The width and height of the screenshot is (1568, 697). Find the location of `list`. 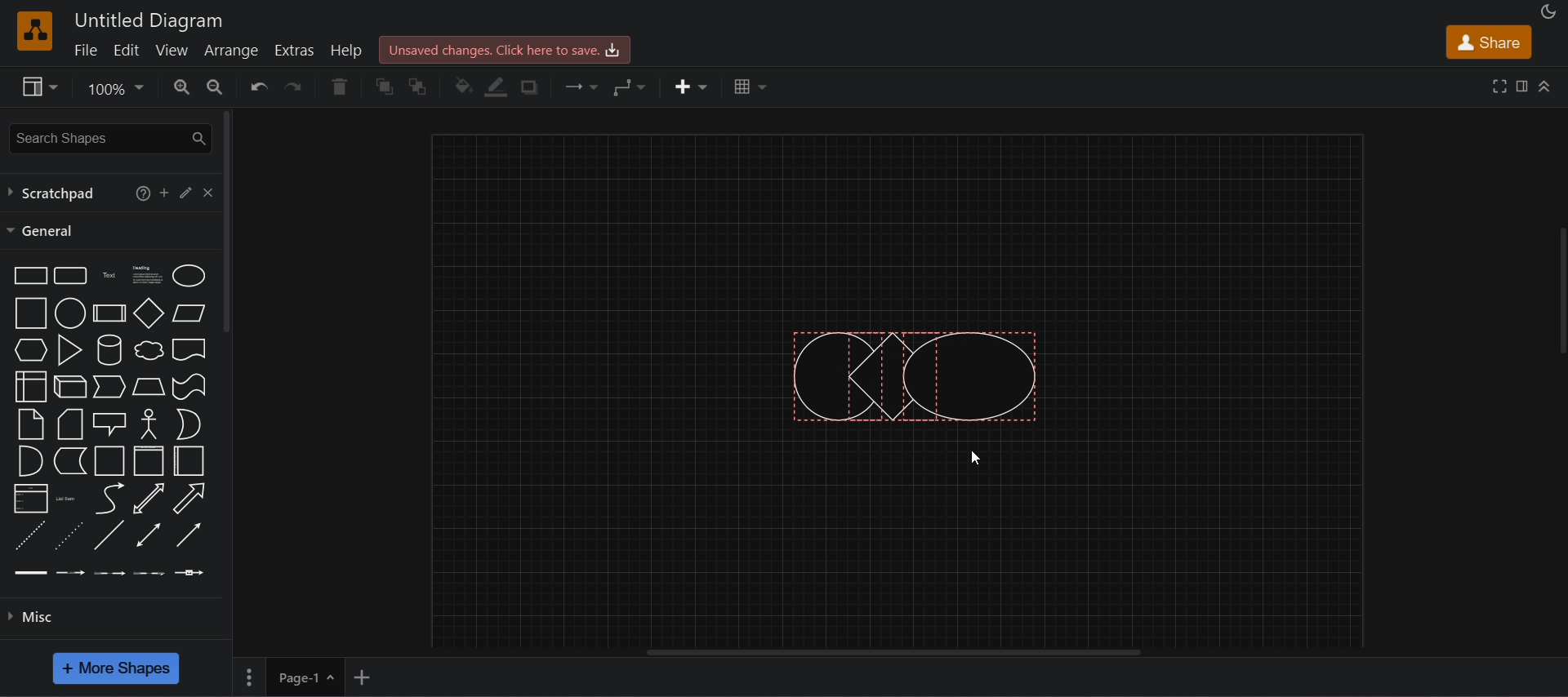

list is located at coordinates (29, 499).